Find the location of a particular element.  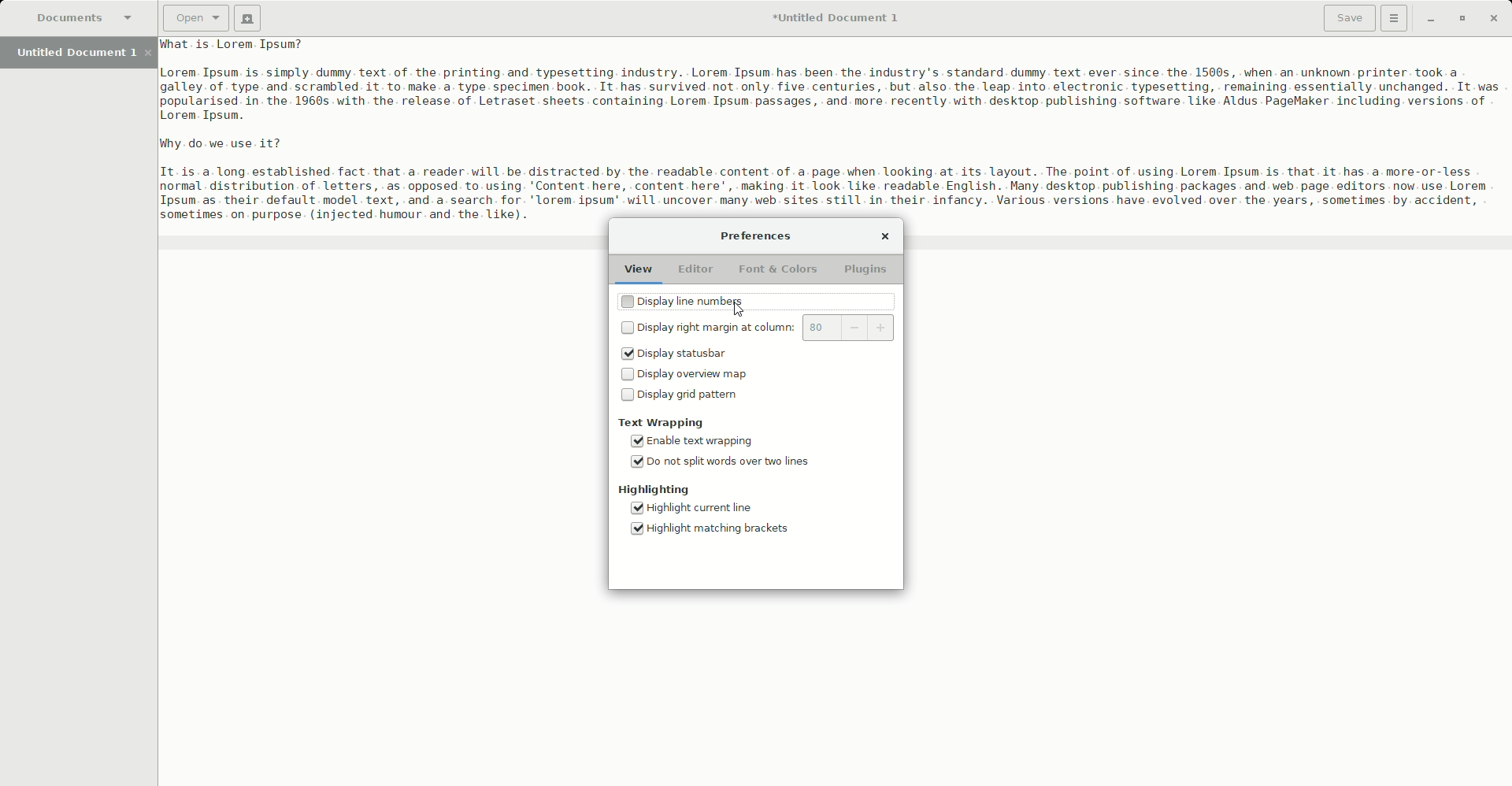

Do not split words over two lines is located at coordinates (720, 465).